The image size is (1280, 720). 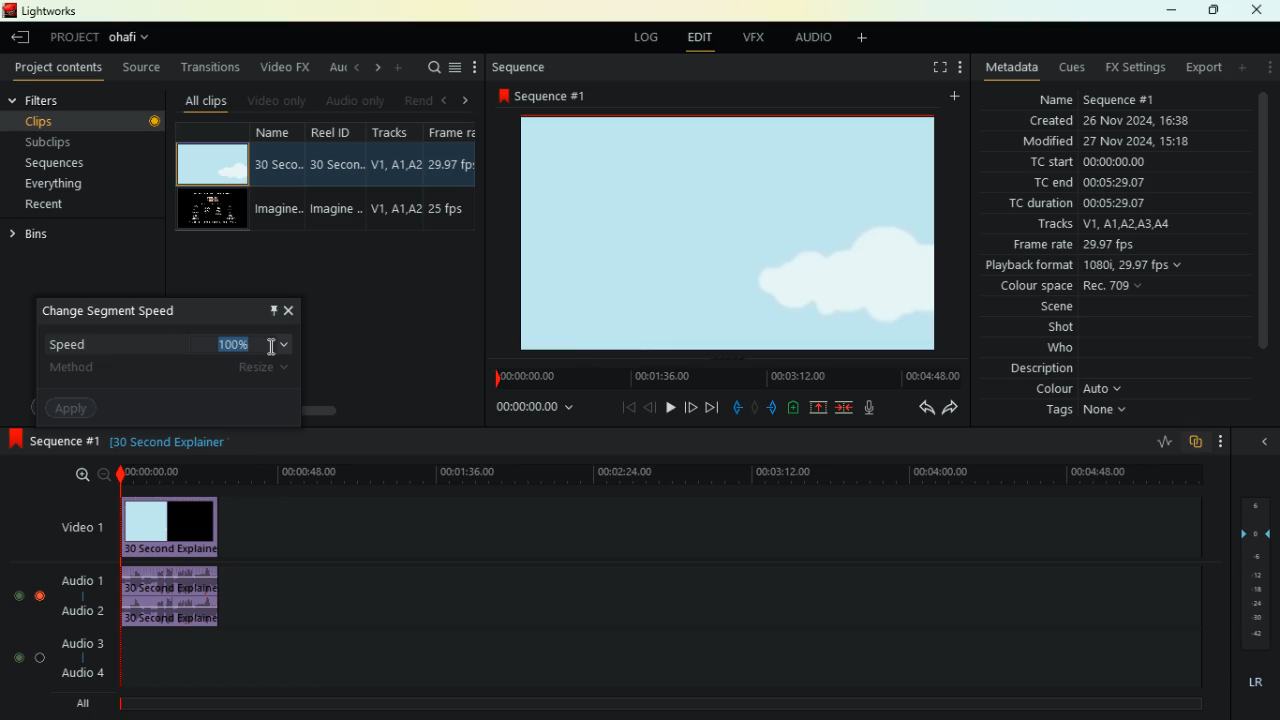 What do you see at coordinates (691, 409) in the screenshot?
I see `forward` at bounding box center [691, 409].